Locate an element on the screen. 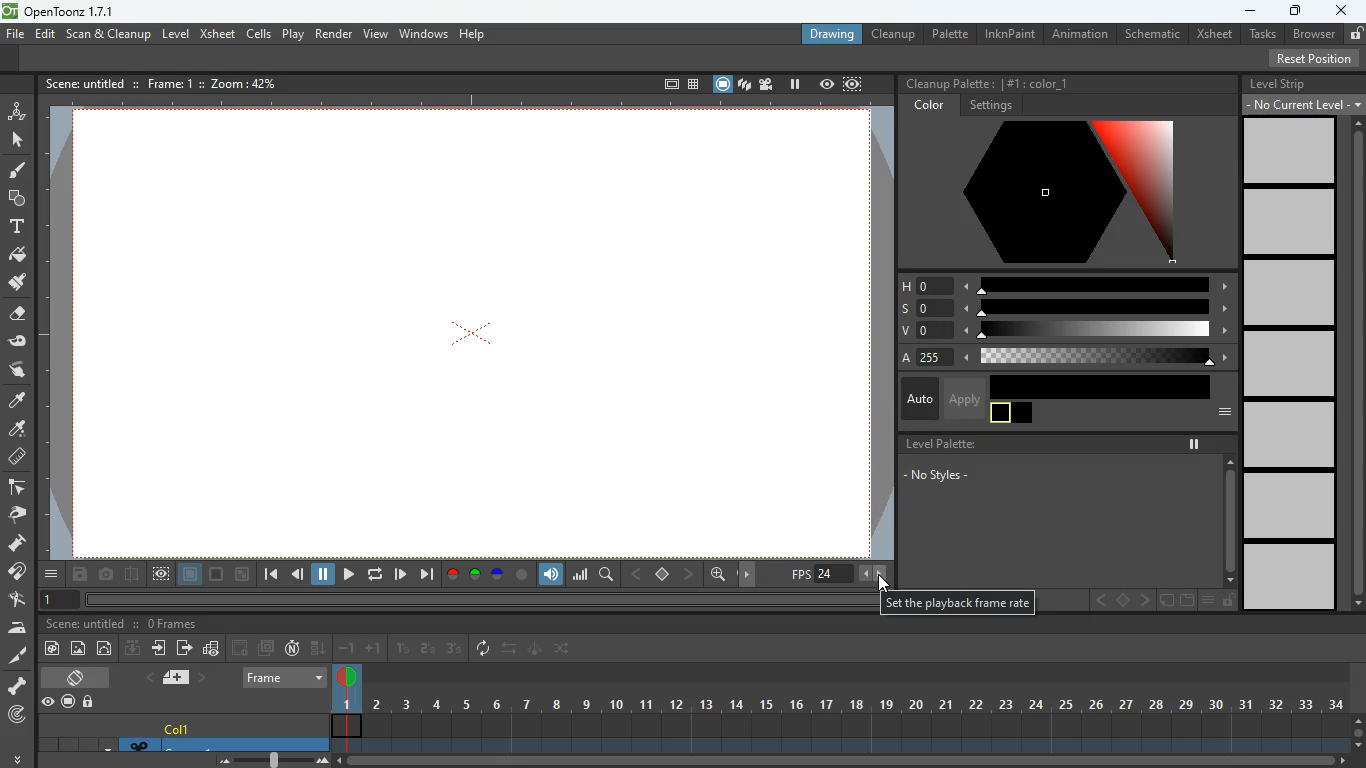 This screenshot has height=768, width=1366. render is located at coordinates (332, 34).